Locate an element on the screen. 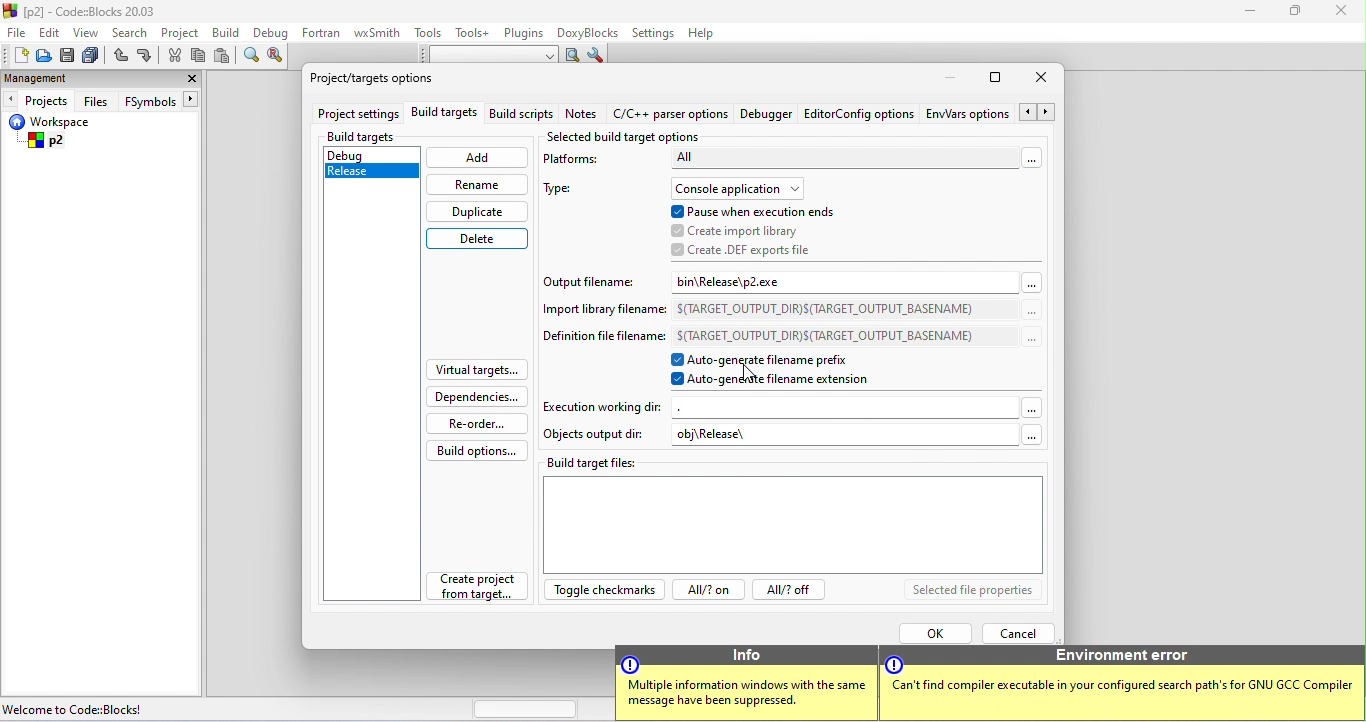 The width and height of the screenshot is (1366, 722). file is located at coordinates (15, 32).